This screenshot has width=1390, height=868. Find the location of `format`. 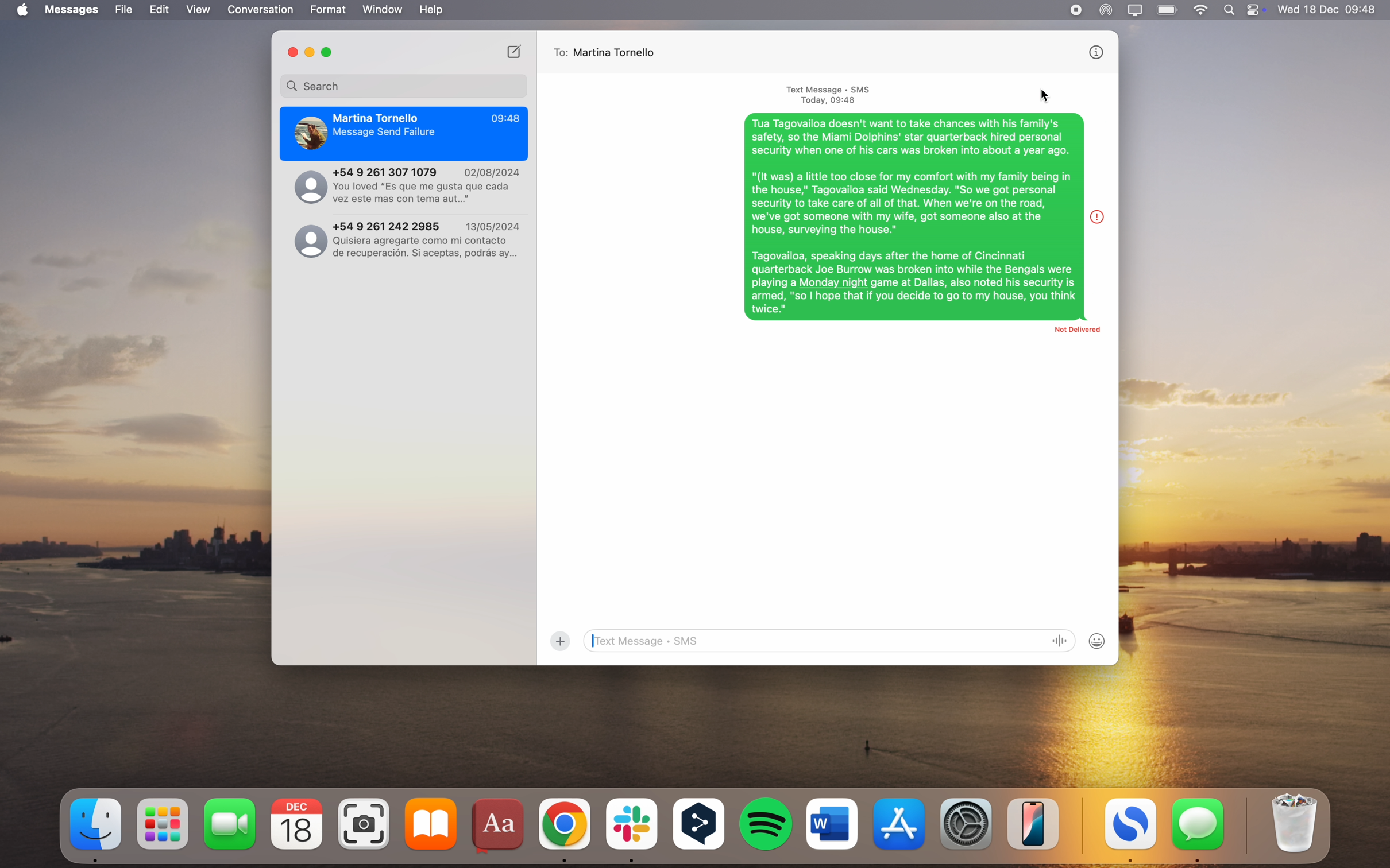

format is located at coordinates (329, 10).